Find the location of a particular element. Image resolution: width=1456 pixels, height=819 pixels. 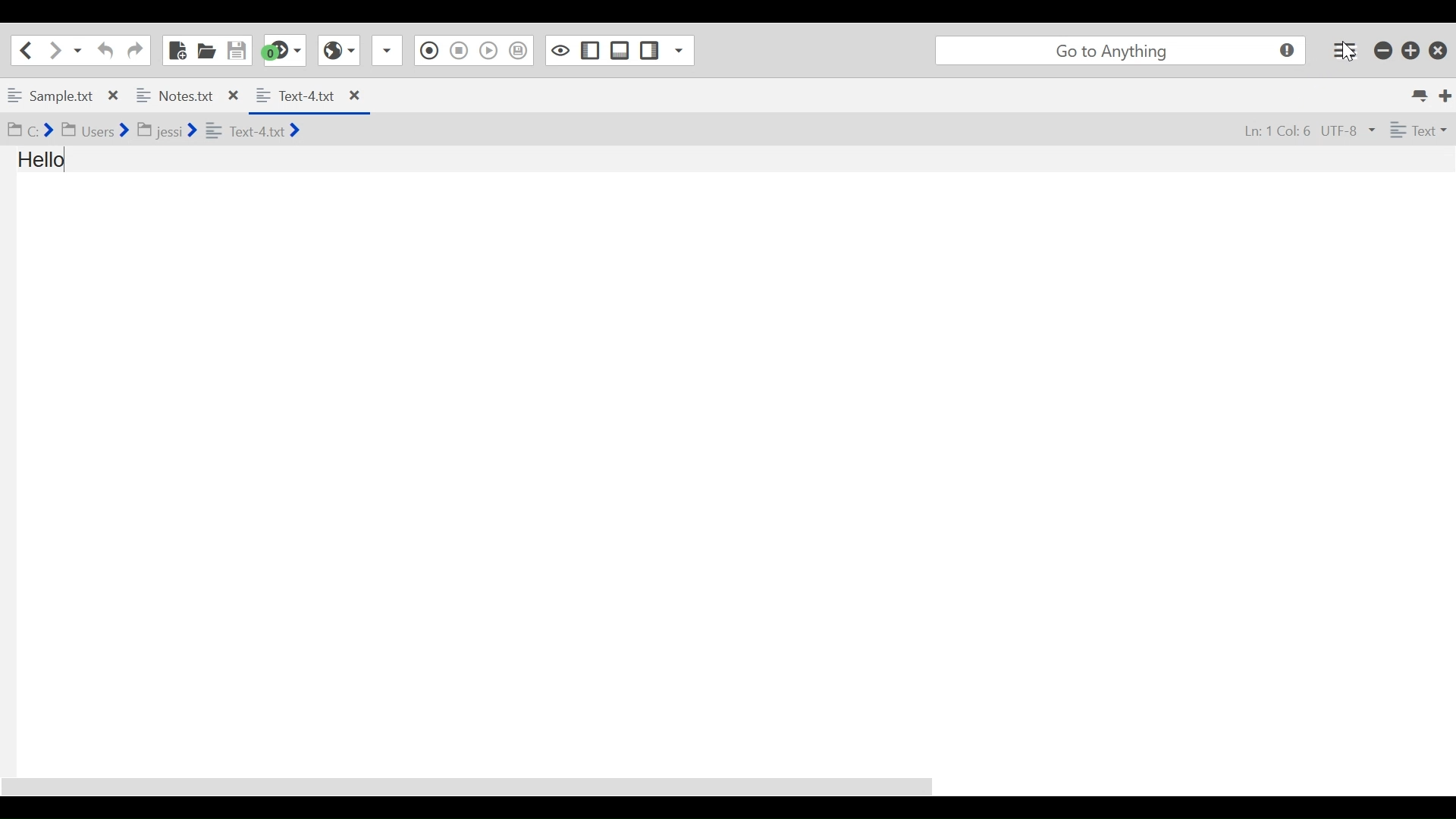

cursor is located at coordinates (1350, 55).